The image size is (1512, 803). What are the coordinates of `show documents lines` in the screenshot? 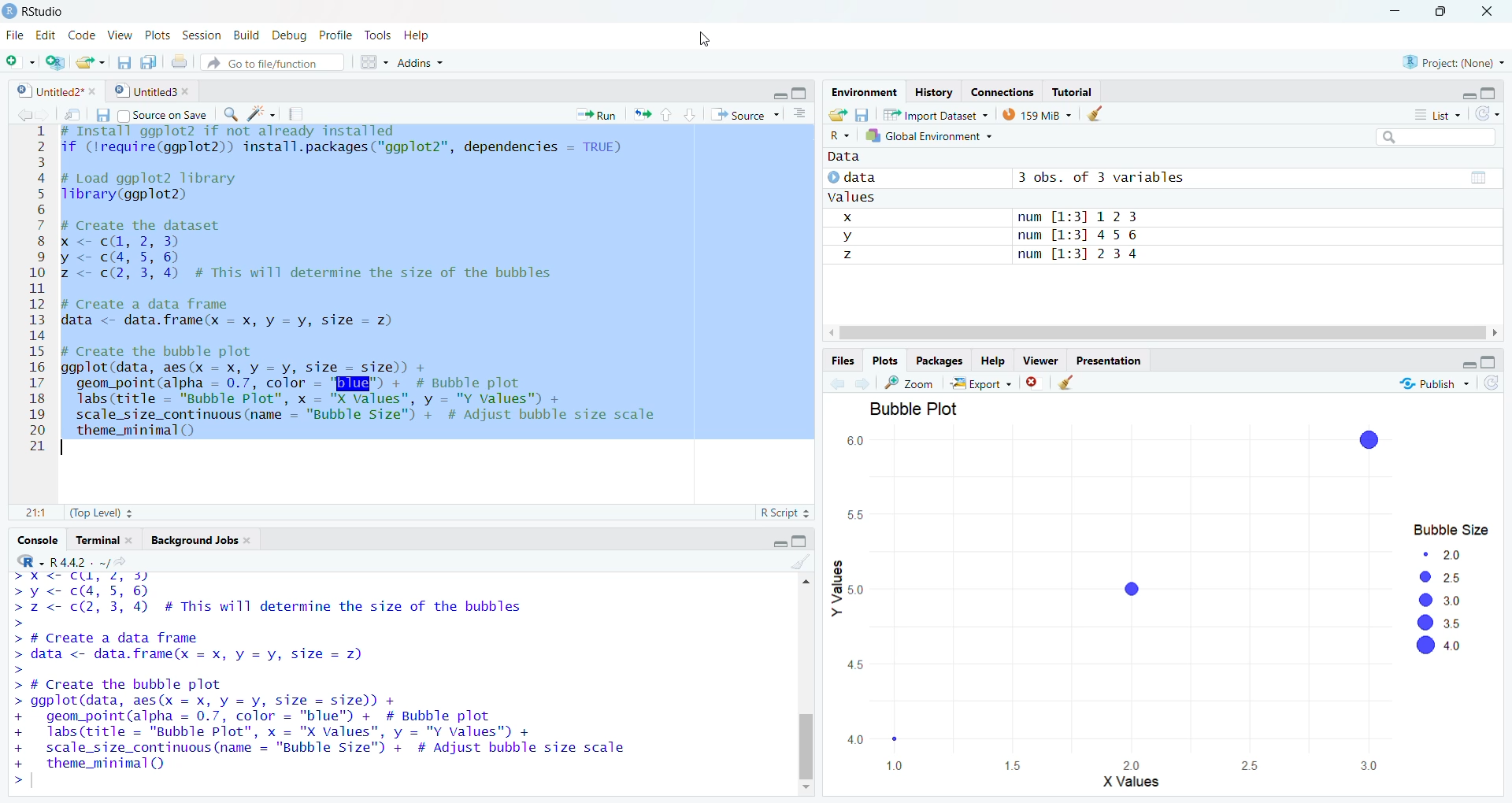 It's located at (802, 111).